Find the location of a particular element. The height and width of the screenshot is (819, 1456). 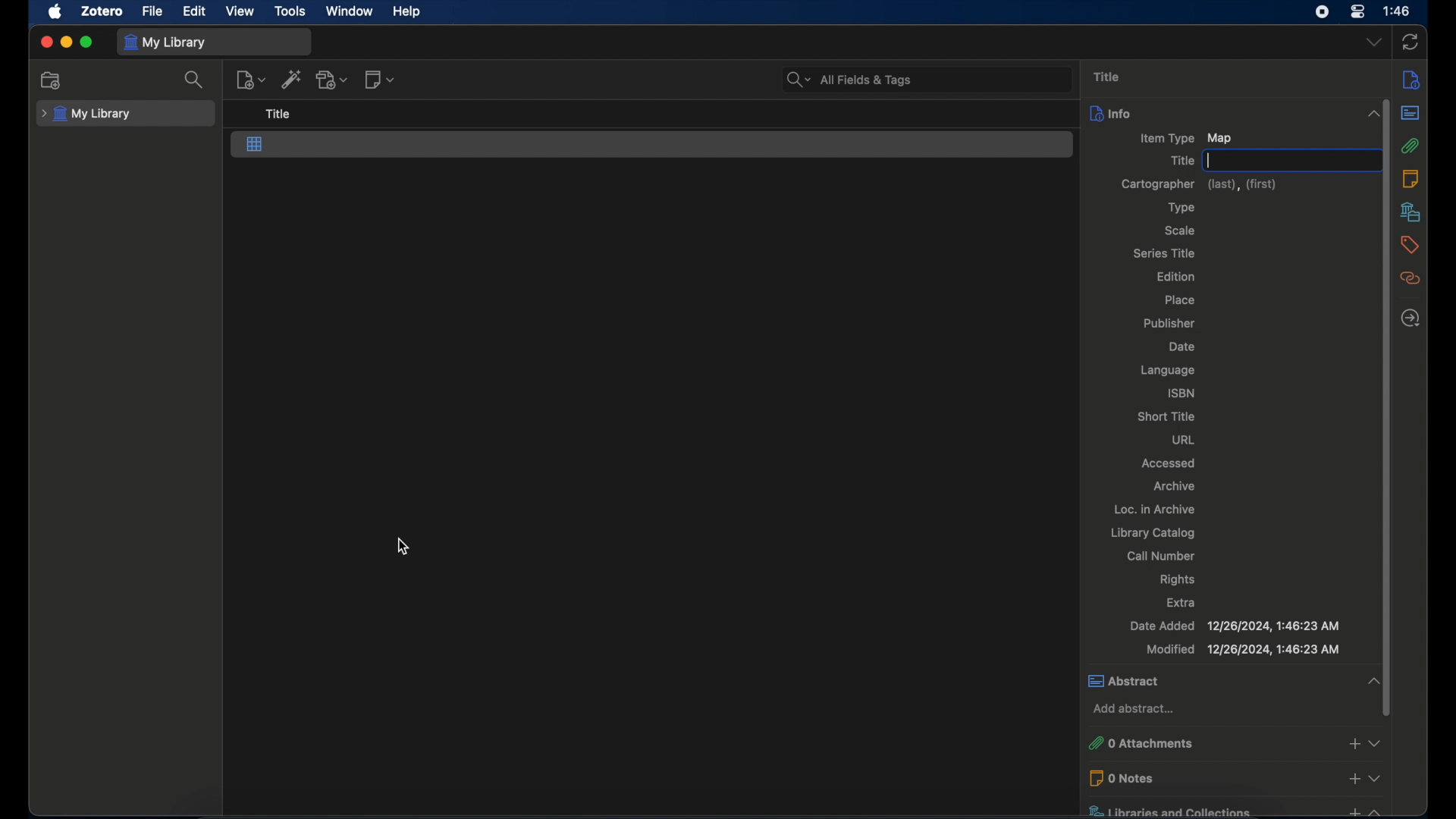

title is located at coordinates (279, 114).